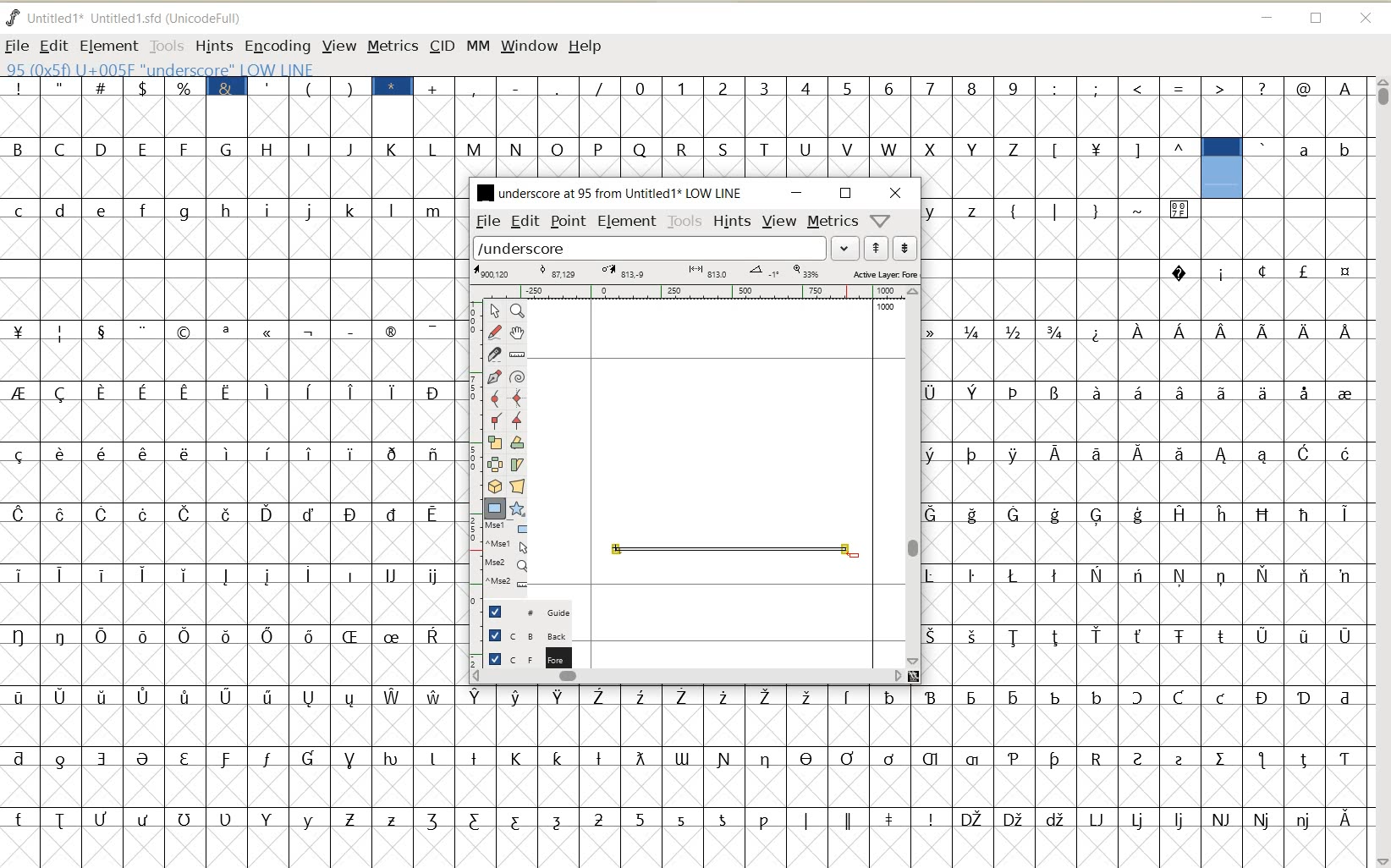 This screenshot has height=868, width=1391. Describe the element at coordinates (798, 193) in the screenshot. I see `MINIMIZE` at that location.